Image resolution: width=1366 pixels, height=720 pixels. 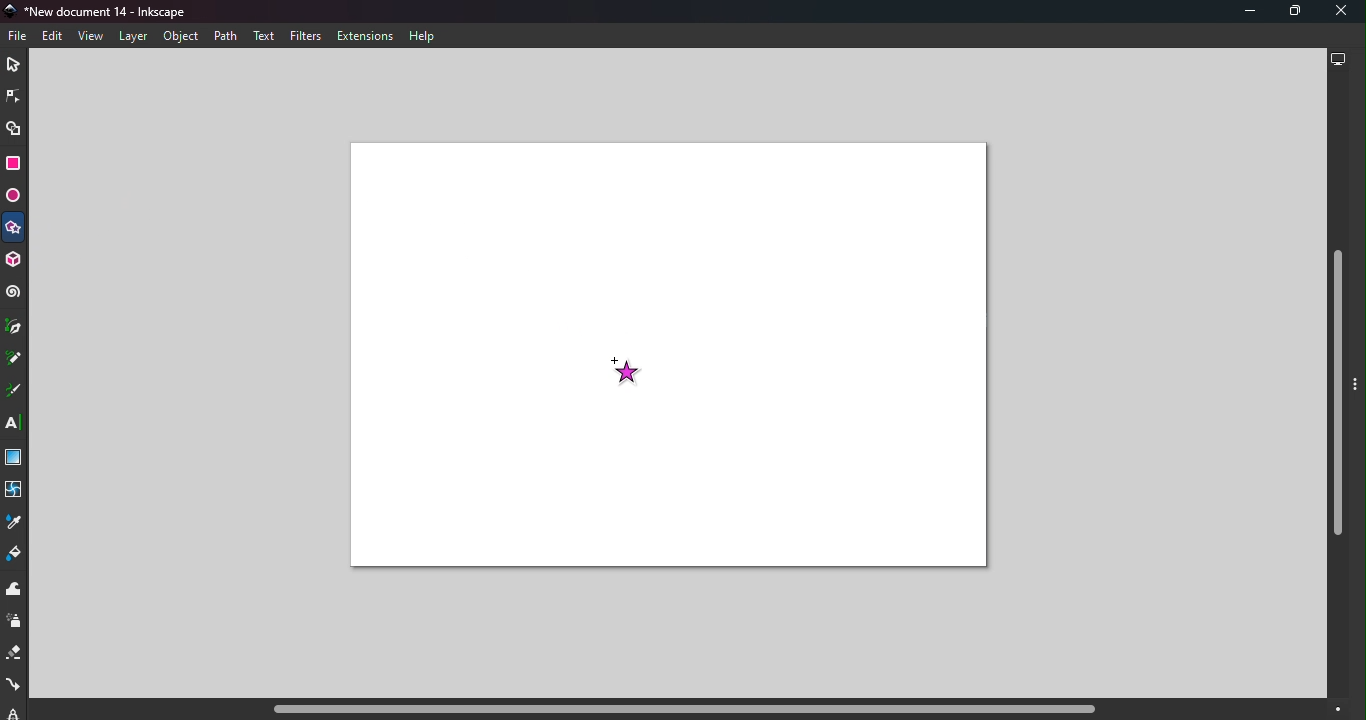 What do you see at coordinates (17, 590) in the screenshot?
I see `Tweak tool` at bounding box center [17, 590].